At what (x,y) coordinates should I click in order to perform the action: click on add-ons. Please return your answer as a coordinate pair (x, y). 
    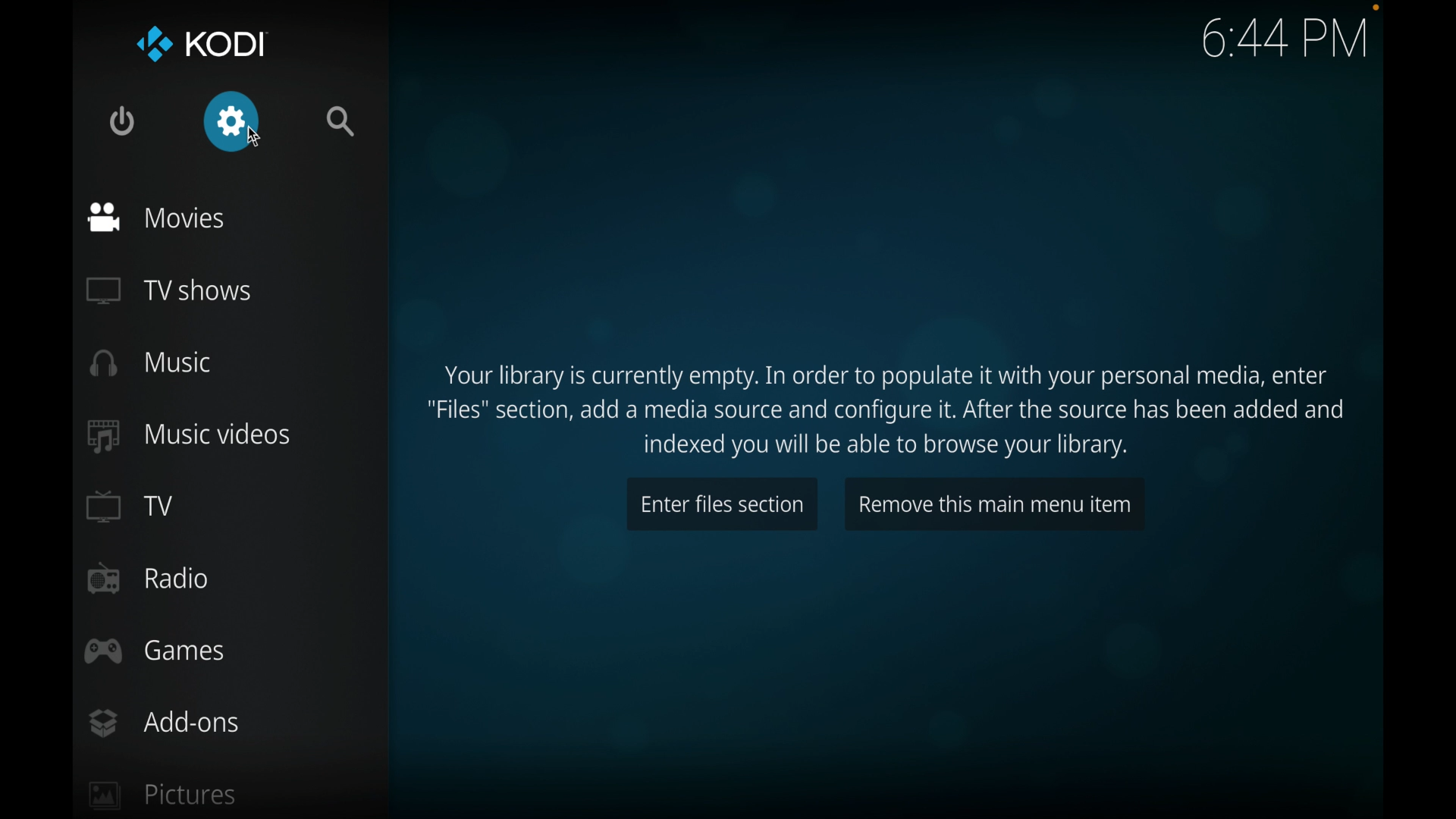
    Looking at the image, I should click on (165, 723).